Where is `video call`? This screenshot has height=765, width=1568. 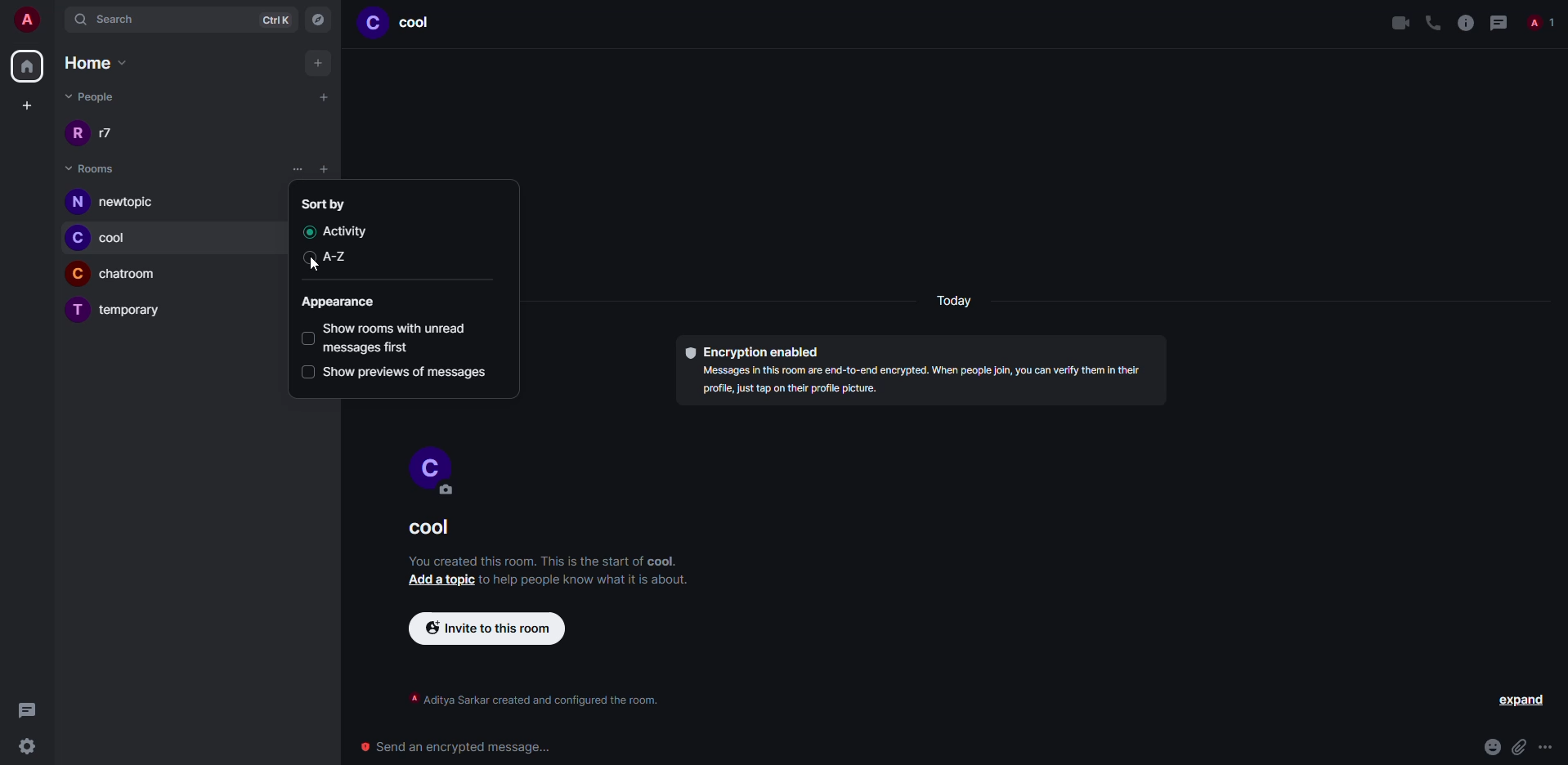
video call is located at coordinates (1396, 23).